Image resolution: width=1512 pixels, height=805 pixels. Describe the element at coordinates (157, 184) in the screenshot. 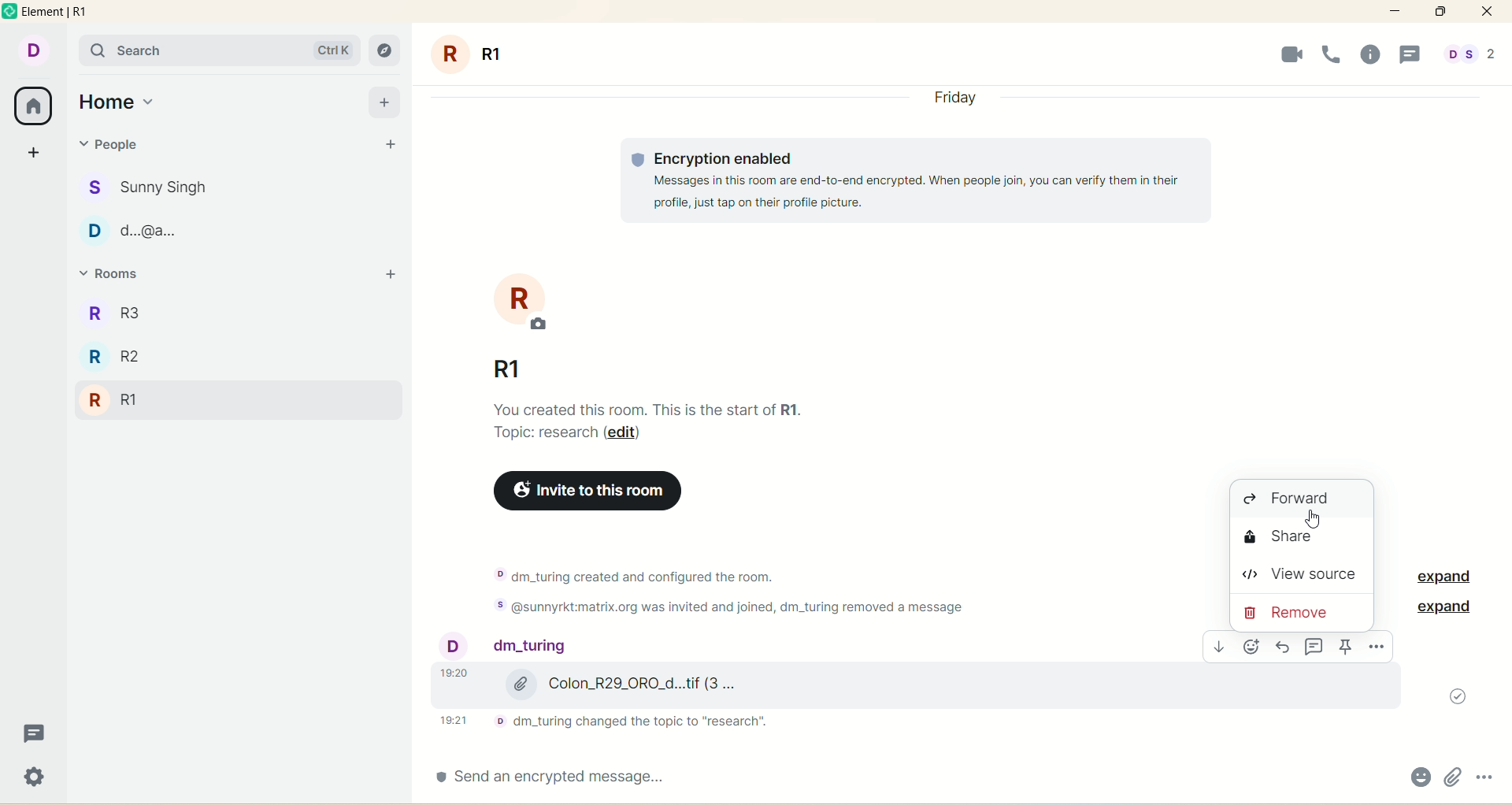

I see `people` at that location.